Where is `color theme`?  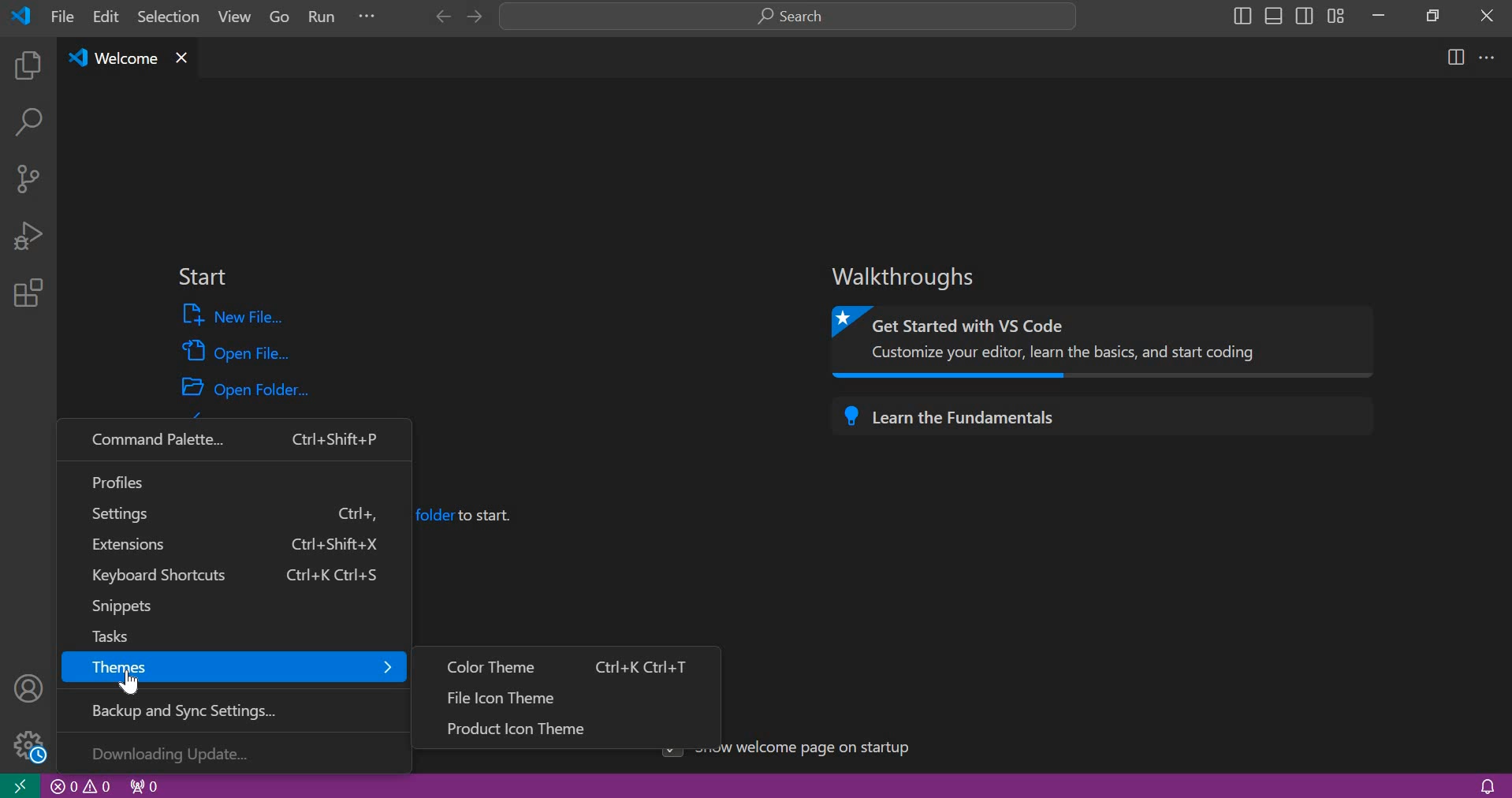
color theme is located at coordinates (568, 664).